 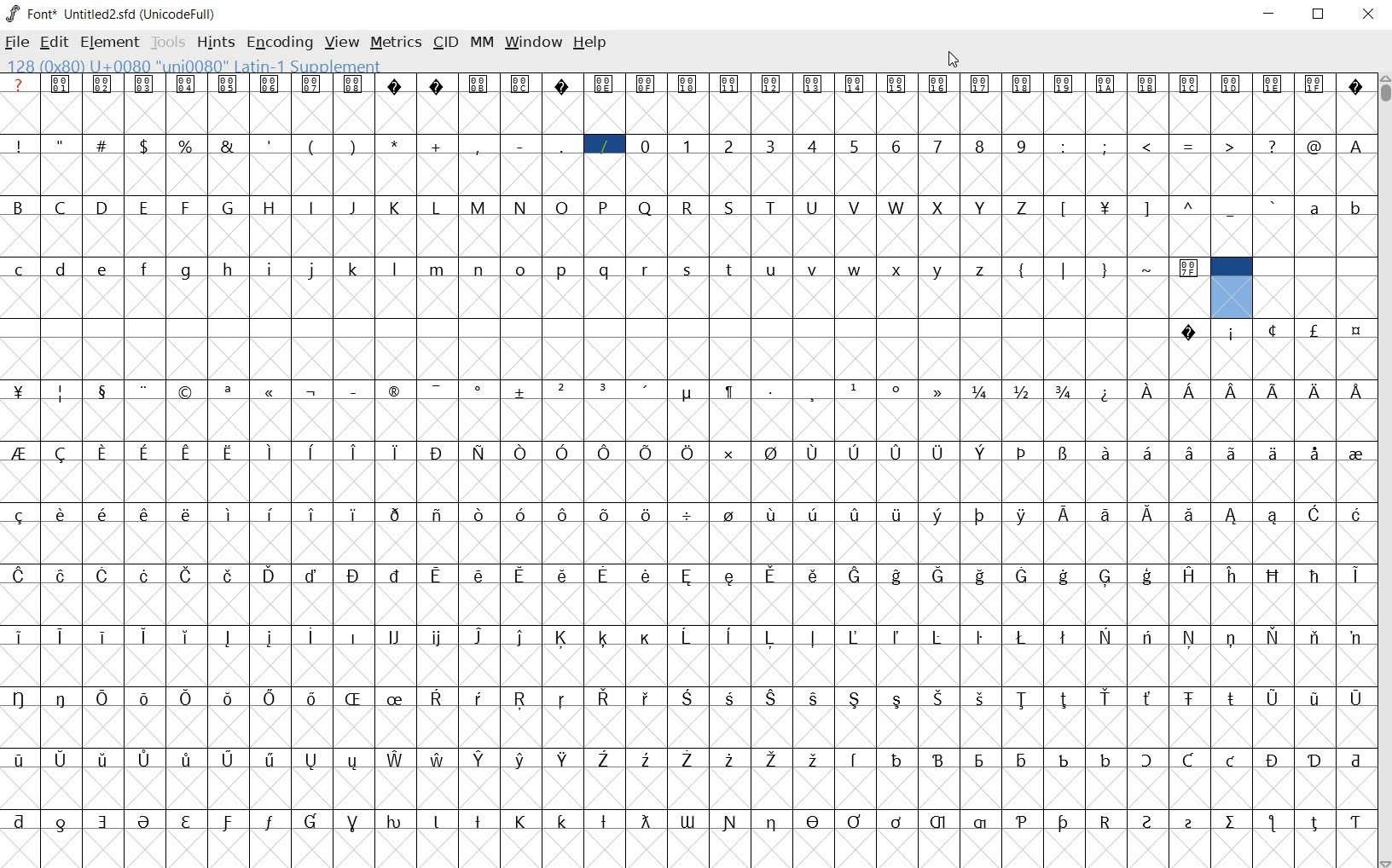 What do you see at coordinates (563, 269) in the screenshot?
I see `p` at bounding box center [563, 269].